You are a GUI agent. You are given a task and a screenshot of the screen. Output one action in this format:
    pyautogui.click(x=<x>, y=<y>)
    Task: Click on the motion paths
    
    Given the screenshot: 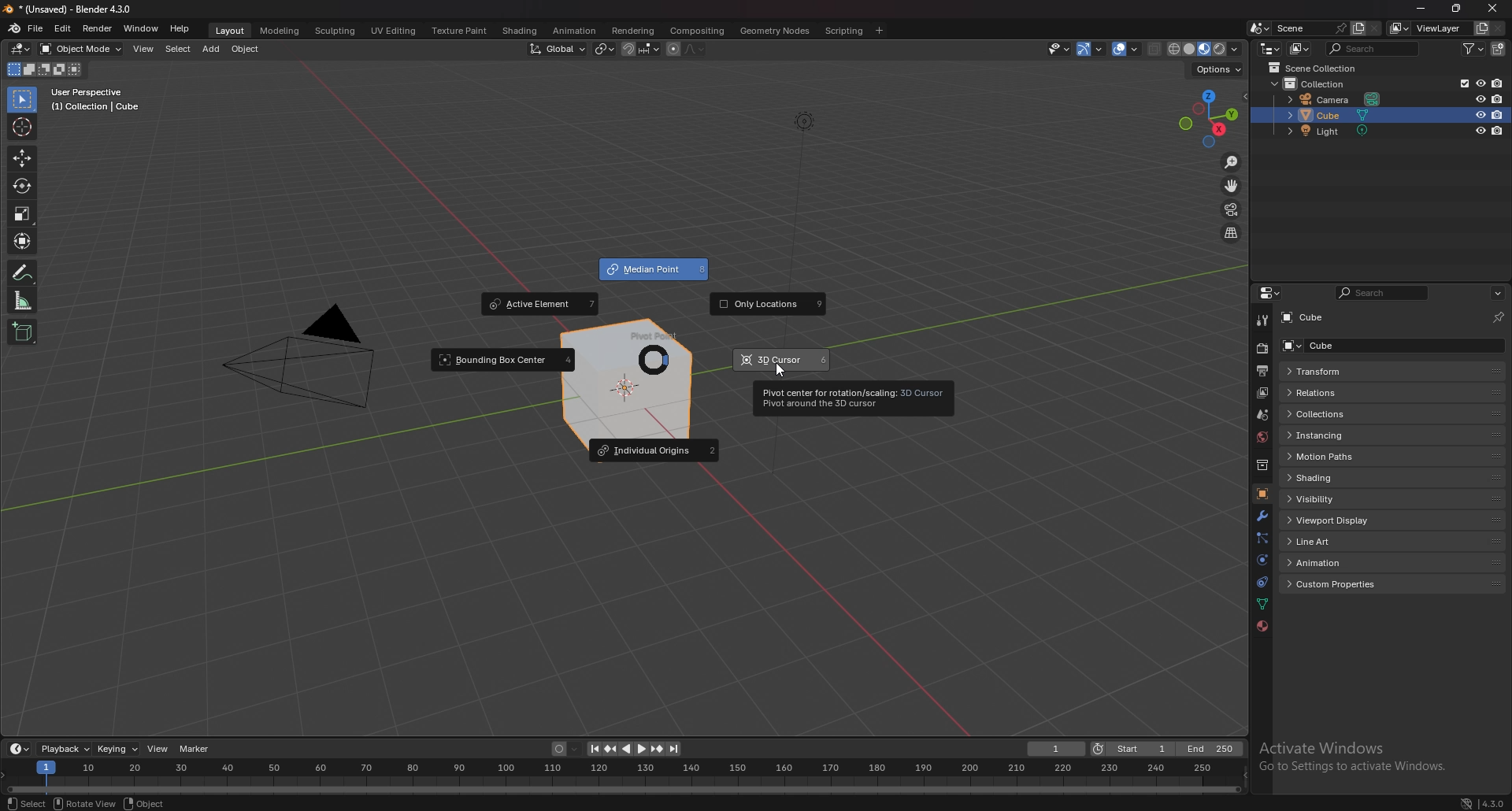 What is the action you would take?
    pyautogui.click(x=1337, y=457)
    